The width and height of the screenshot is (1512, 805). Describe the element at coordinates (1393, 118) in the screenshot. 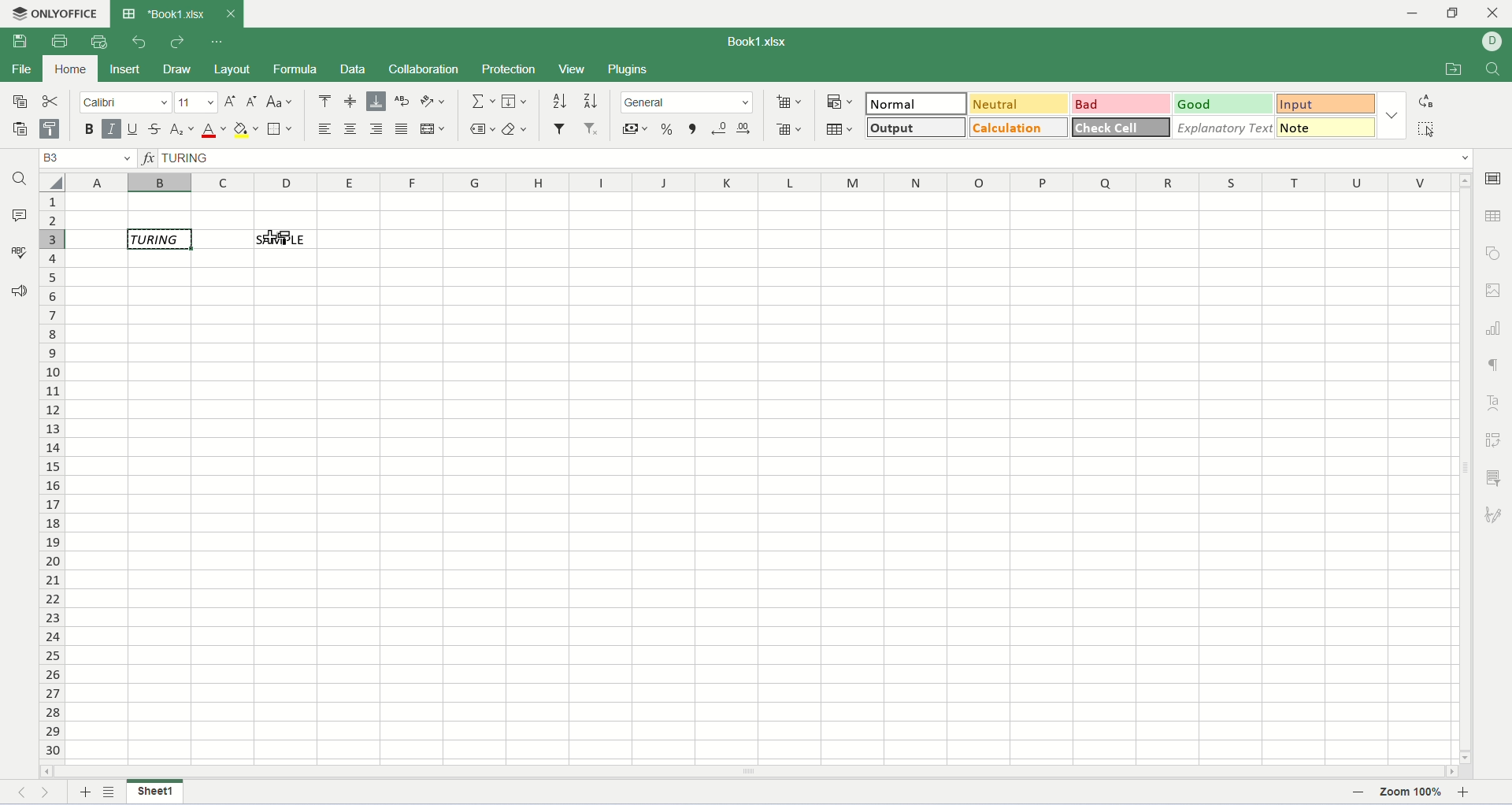

I see `format options` at that location.